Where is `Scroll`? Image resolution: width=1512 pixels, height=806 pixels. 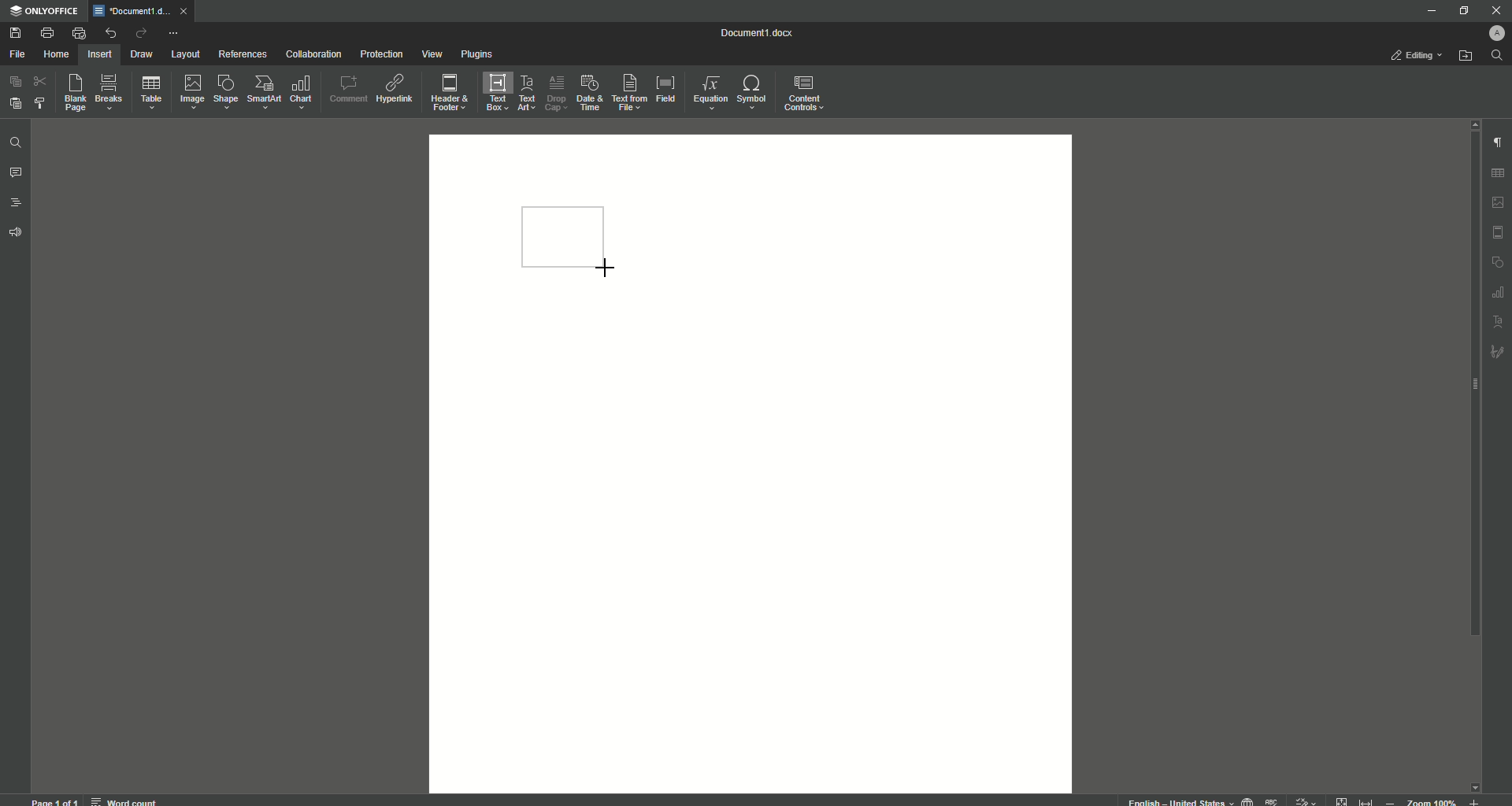 Scroll is located at coordinates (1470, 394).